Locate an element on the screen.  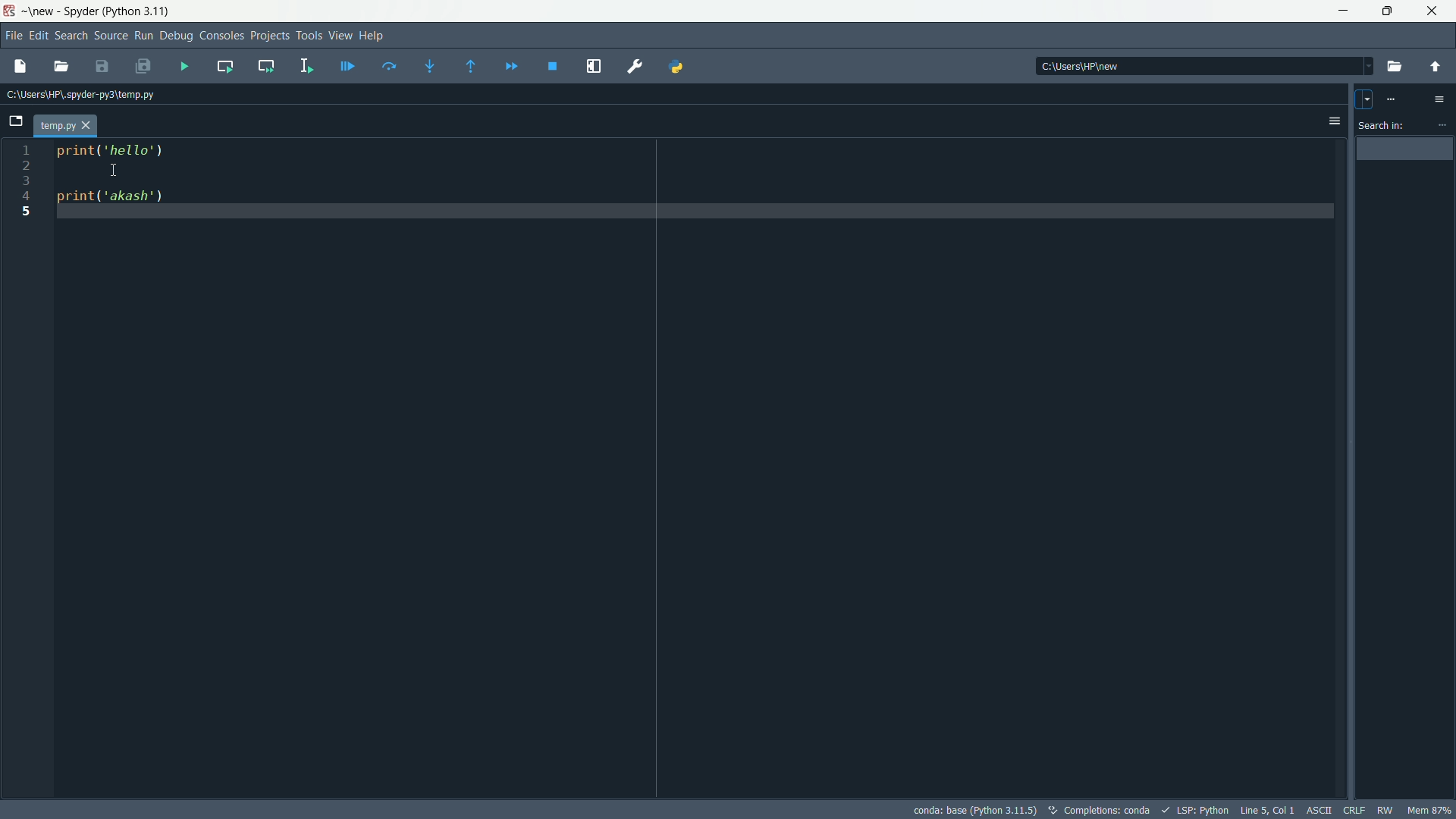
find in files pane settings is located at coordinates (1442, 101).